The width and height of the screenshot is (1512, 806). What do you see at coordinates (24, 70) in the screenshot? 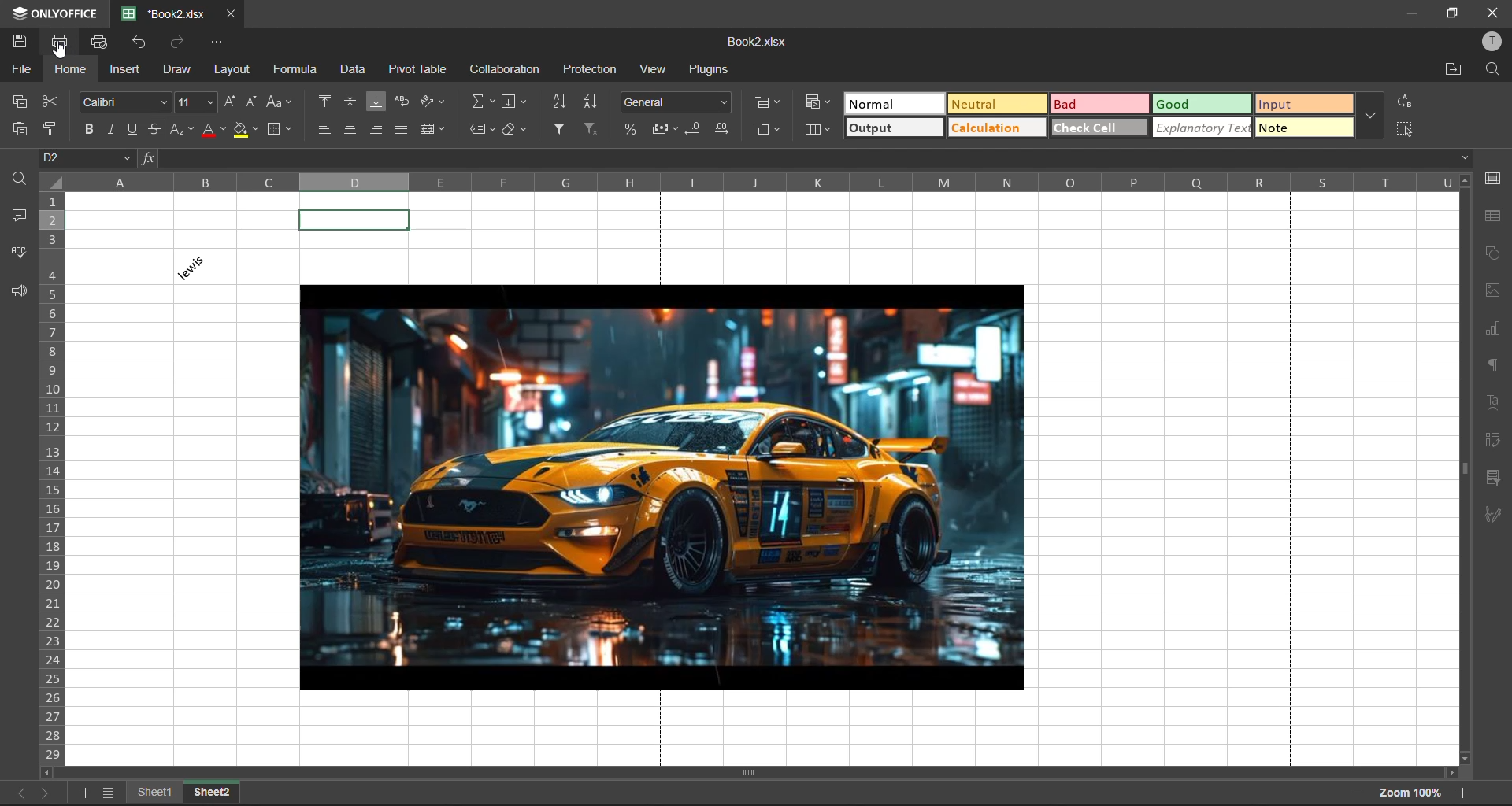
I see `file` at bounding box center [24, 70].